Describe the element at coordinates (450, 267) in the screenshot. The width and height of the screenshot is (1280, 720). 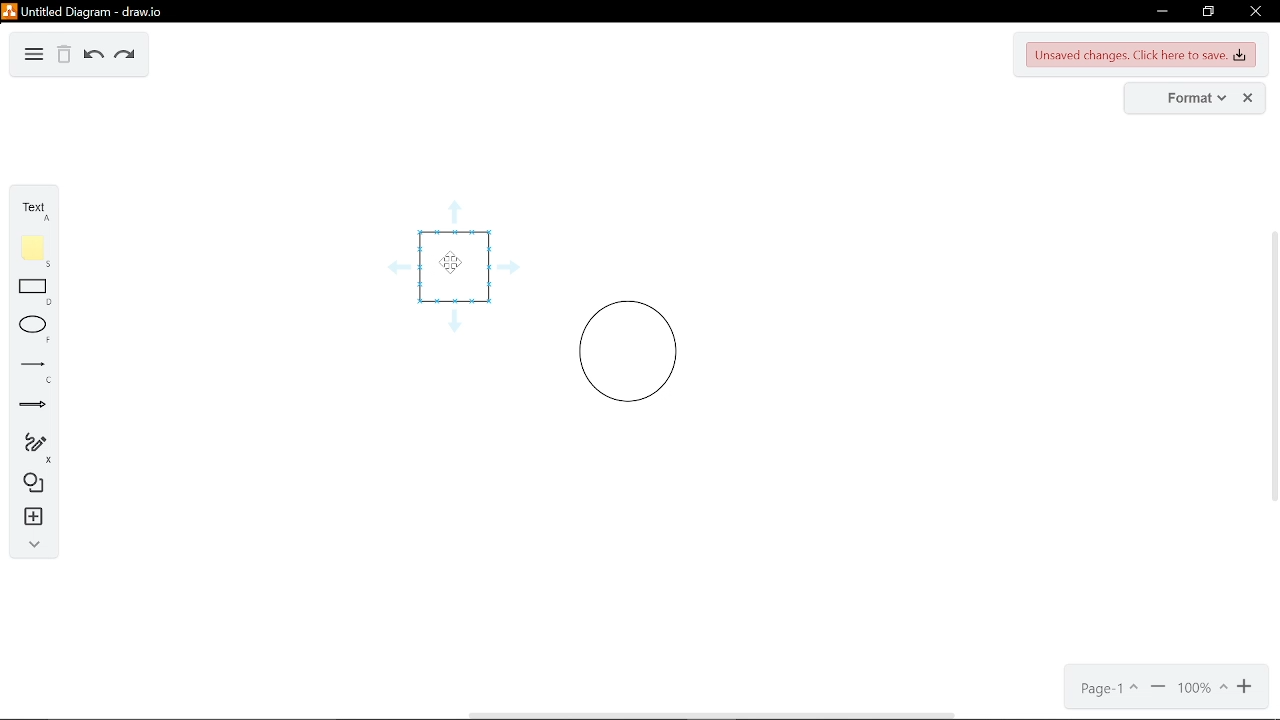
I see `cursor` at that location.